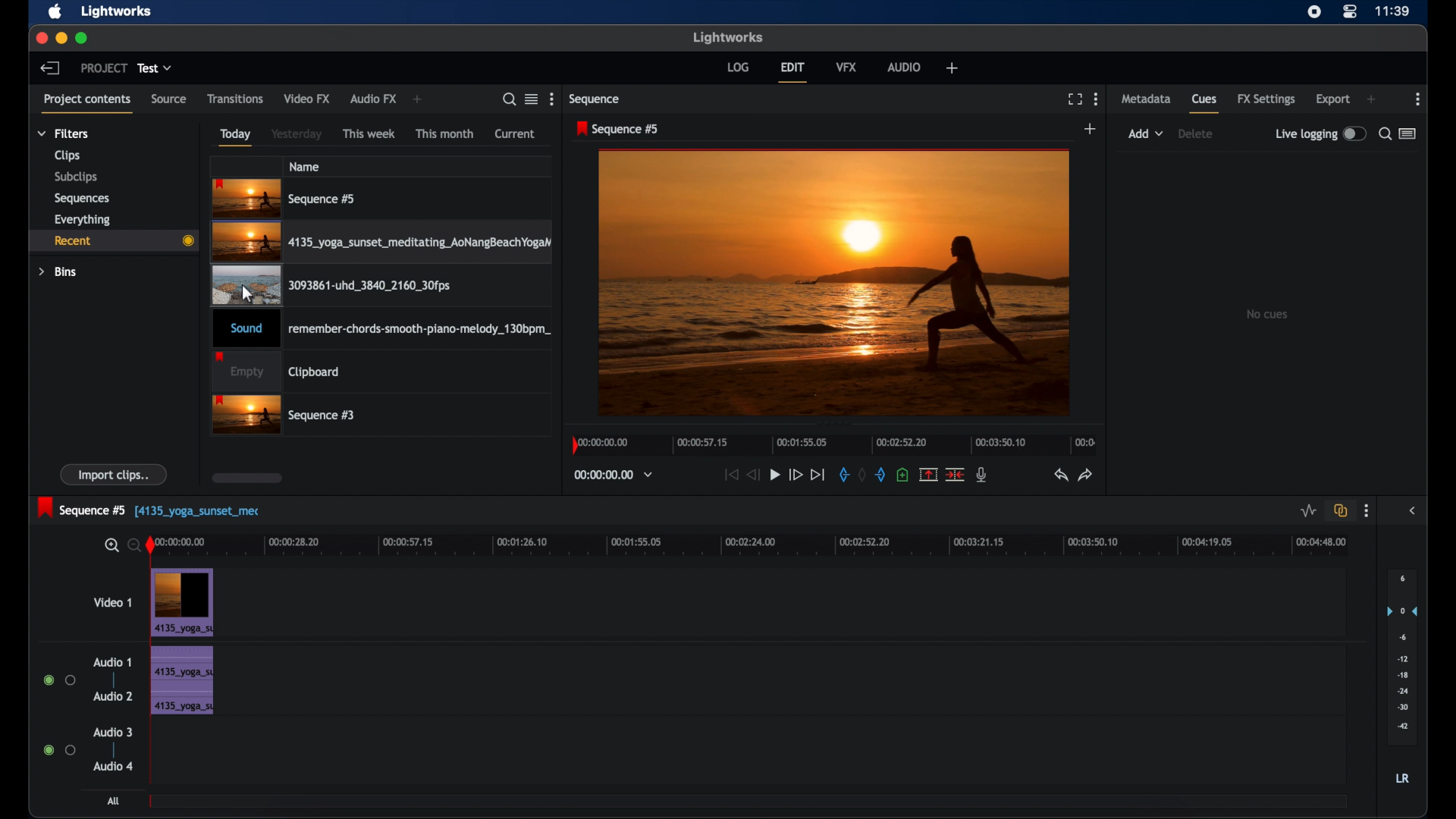 The height and width of the screenshot is (819, 1456). Describe the element at coordinates (775, 475) in the screenshot. I see `play` at that location.